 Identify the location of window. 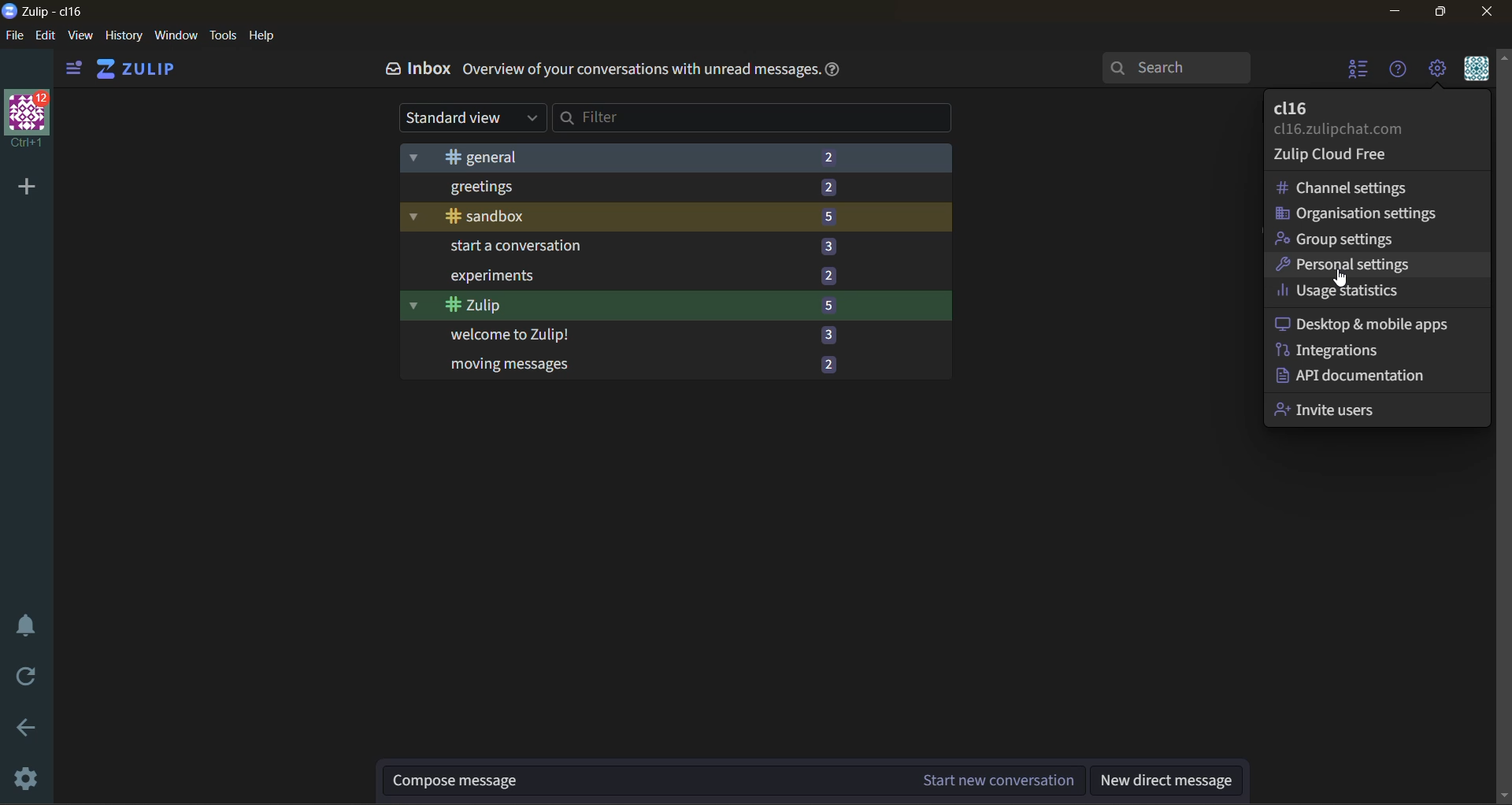
(178, 38).